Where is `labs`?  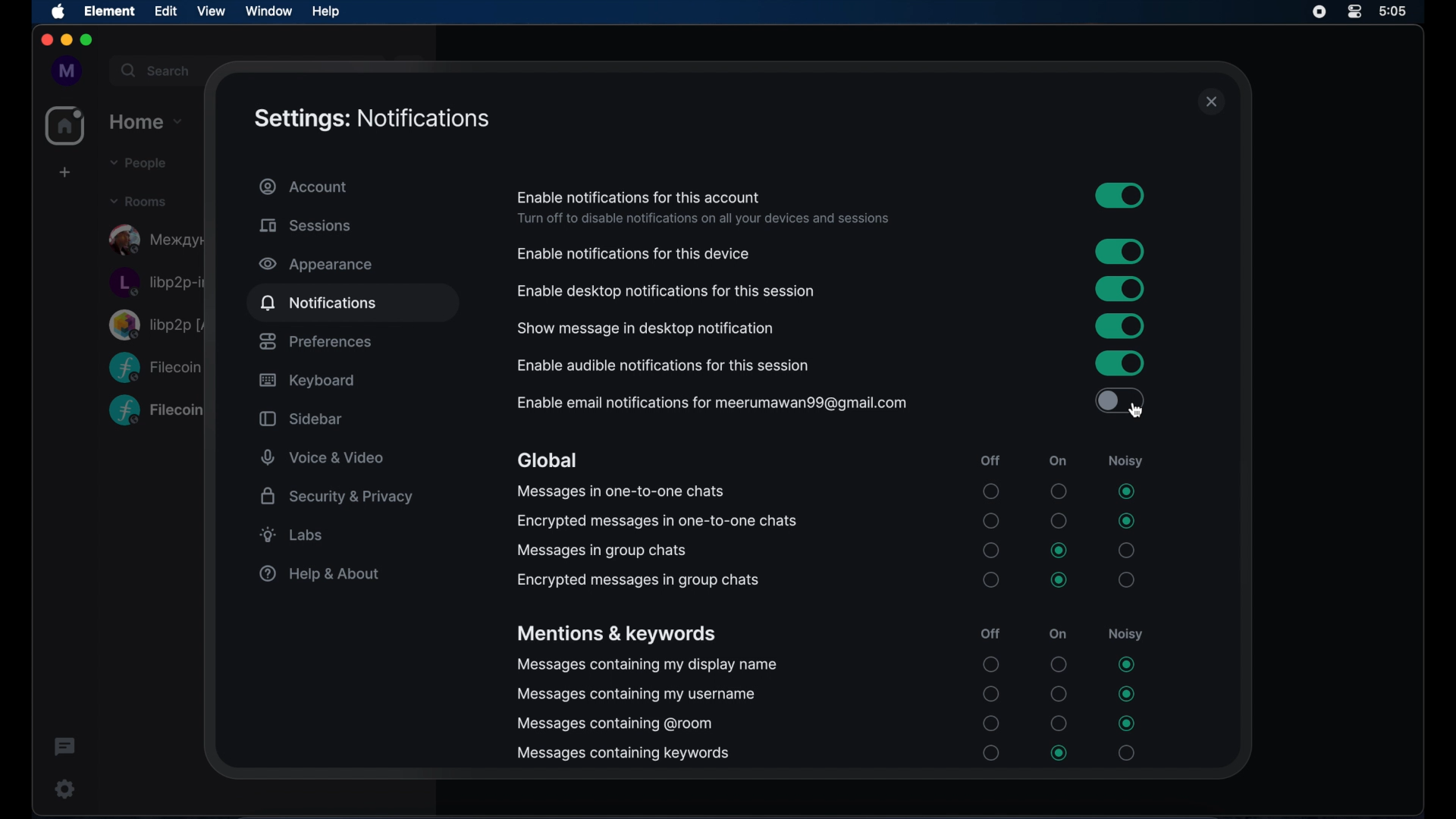
labs is located at coordinates (292, 535).